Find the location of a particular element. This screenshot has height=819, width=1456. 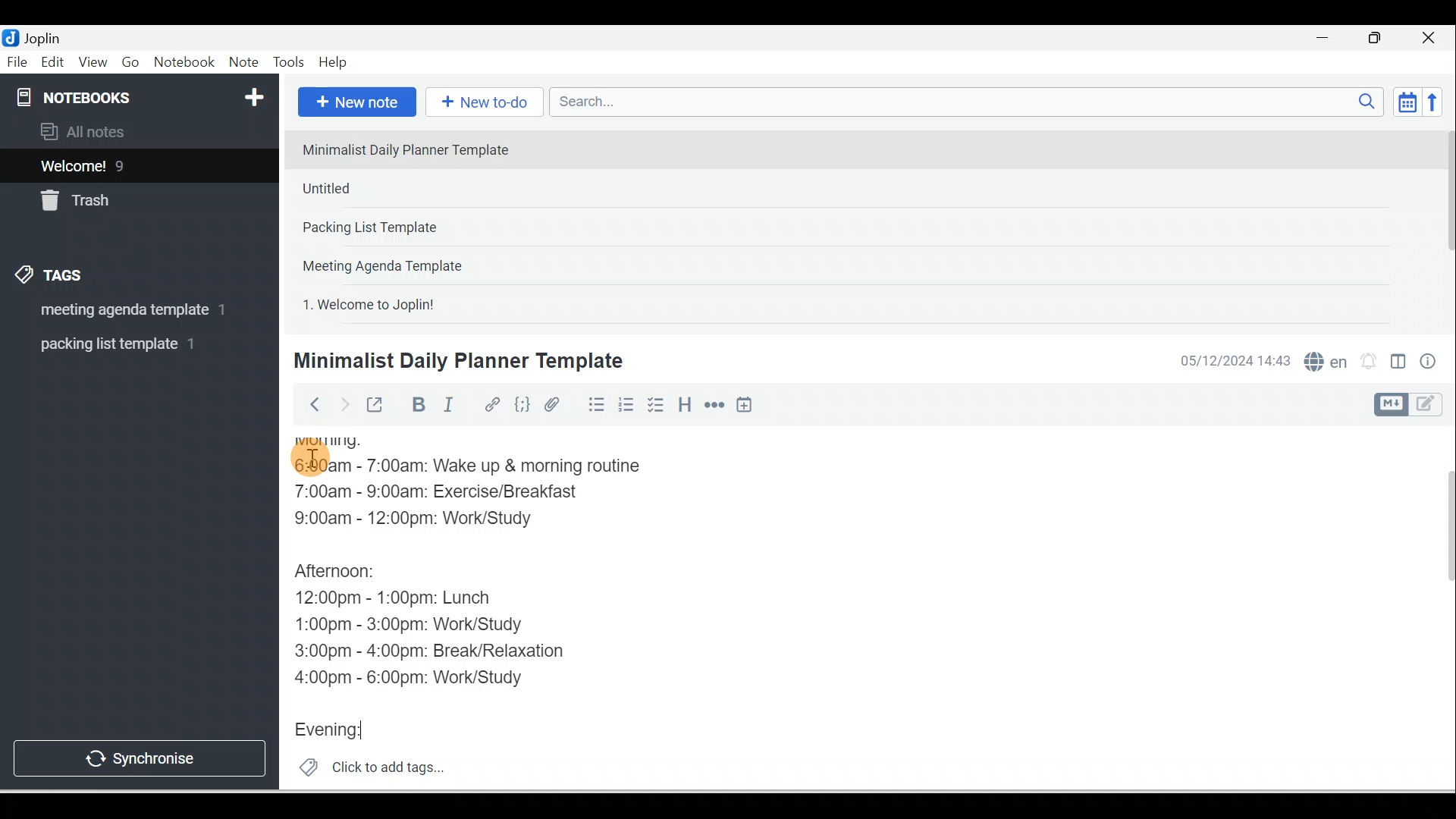

Tools is located at coordinates (288, 62).